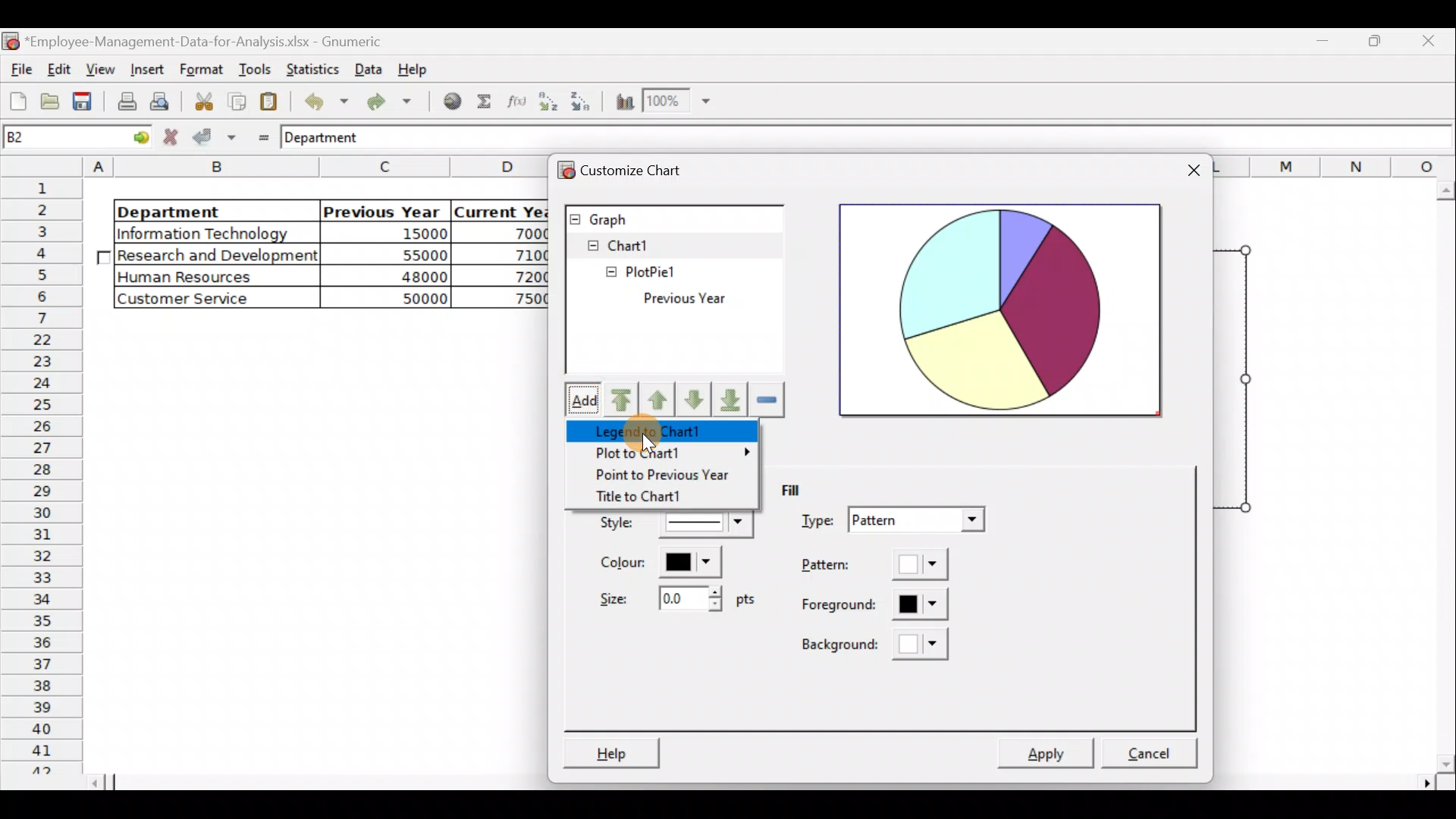 The width and height of the screenshot is (1456, 819). I want to click on Insert a chart, so click(623, 102).